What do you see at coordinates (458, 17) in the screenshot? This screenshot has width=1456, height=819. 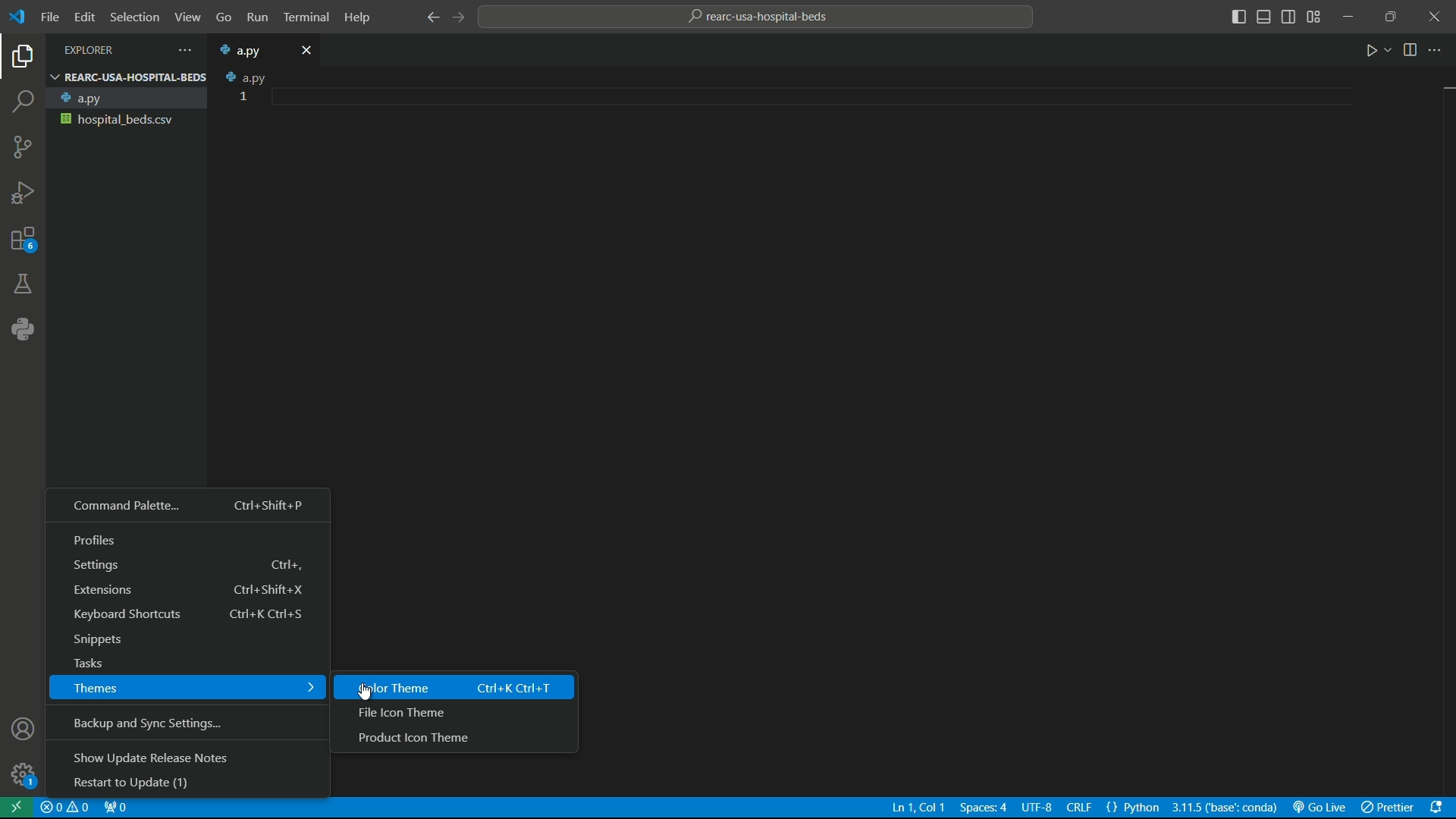 I see `go forward` at bounding box center [458, 17].